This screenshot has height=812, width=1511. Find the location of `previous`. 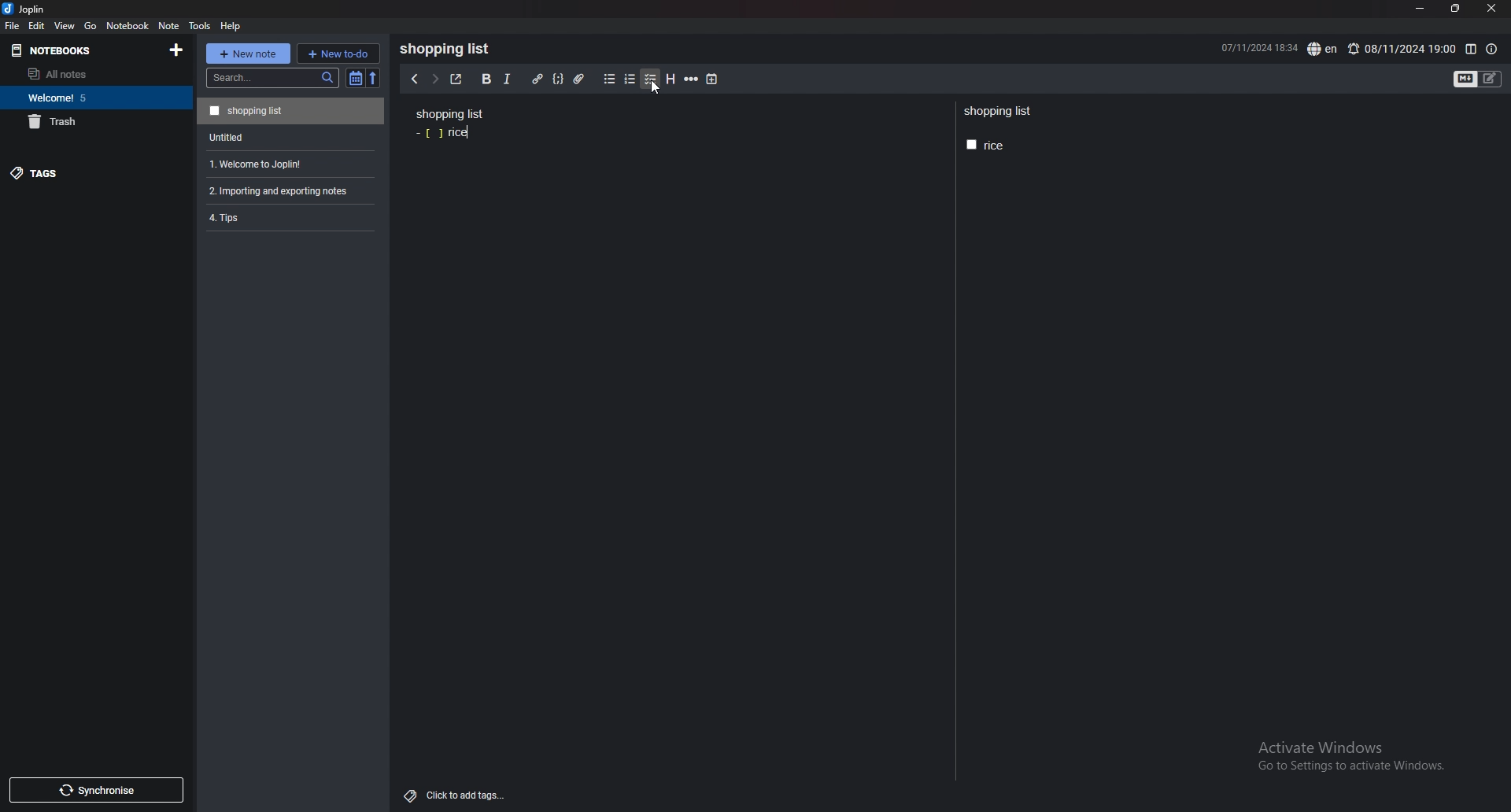

previous is located at coordinates (413, 79).